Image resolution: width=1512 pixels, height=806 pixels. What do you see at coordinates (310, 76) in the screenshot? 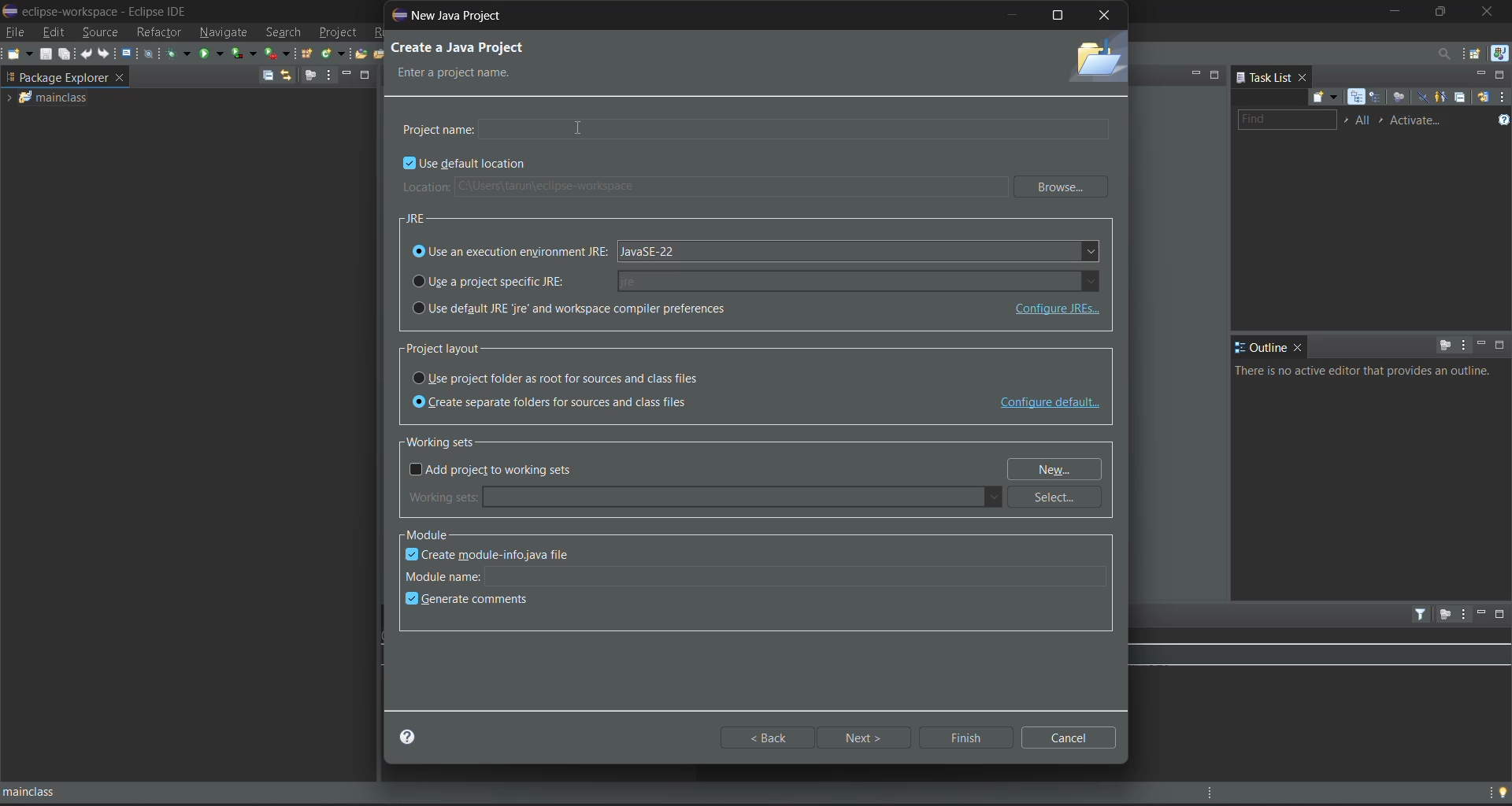
I see `focus on active tasks ` at bounding box center [310, 76].